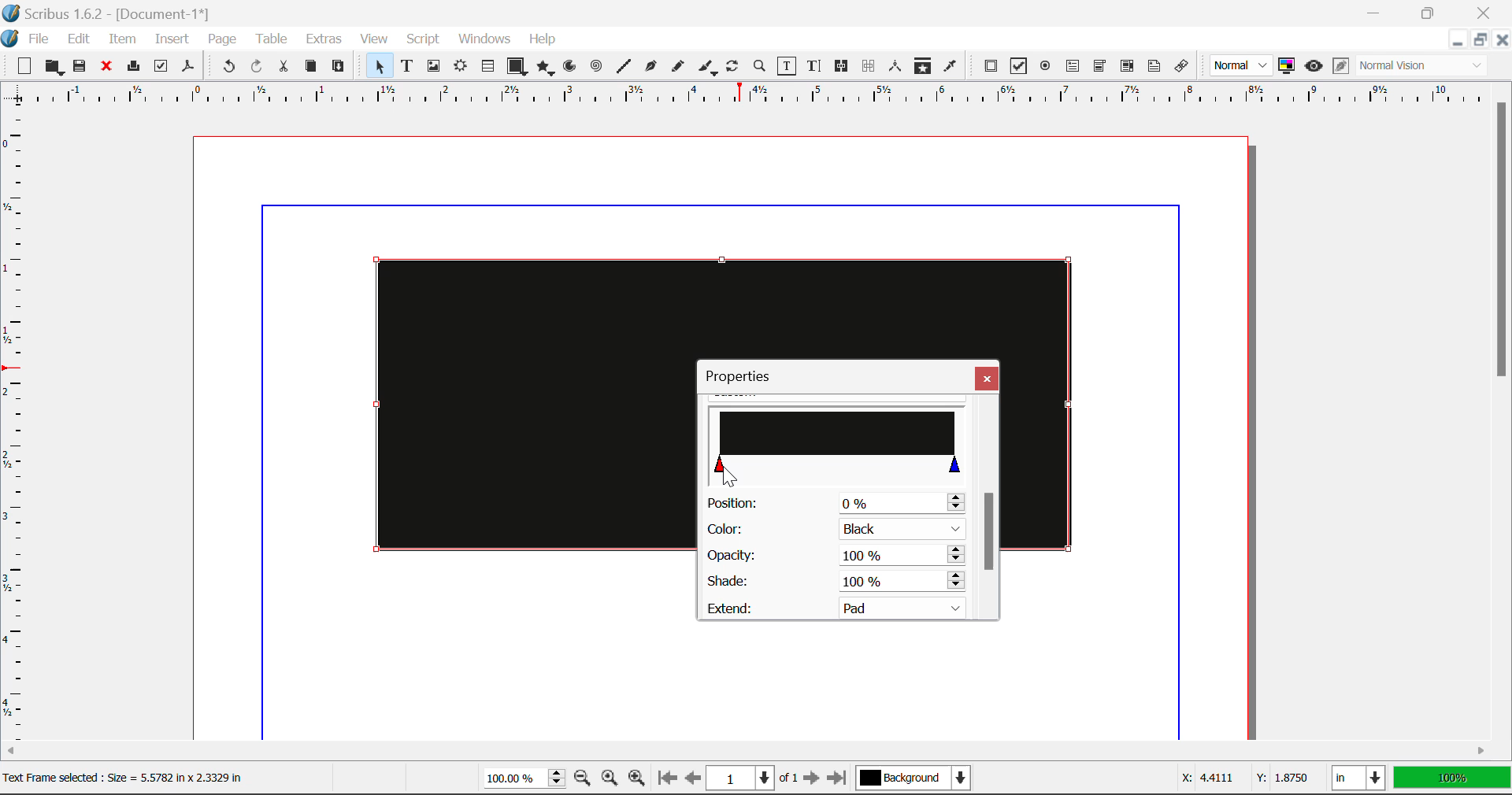  I want to click on Arcs, so click(572, 70).